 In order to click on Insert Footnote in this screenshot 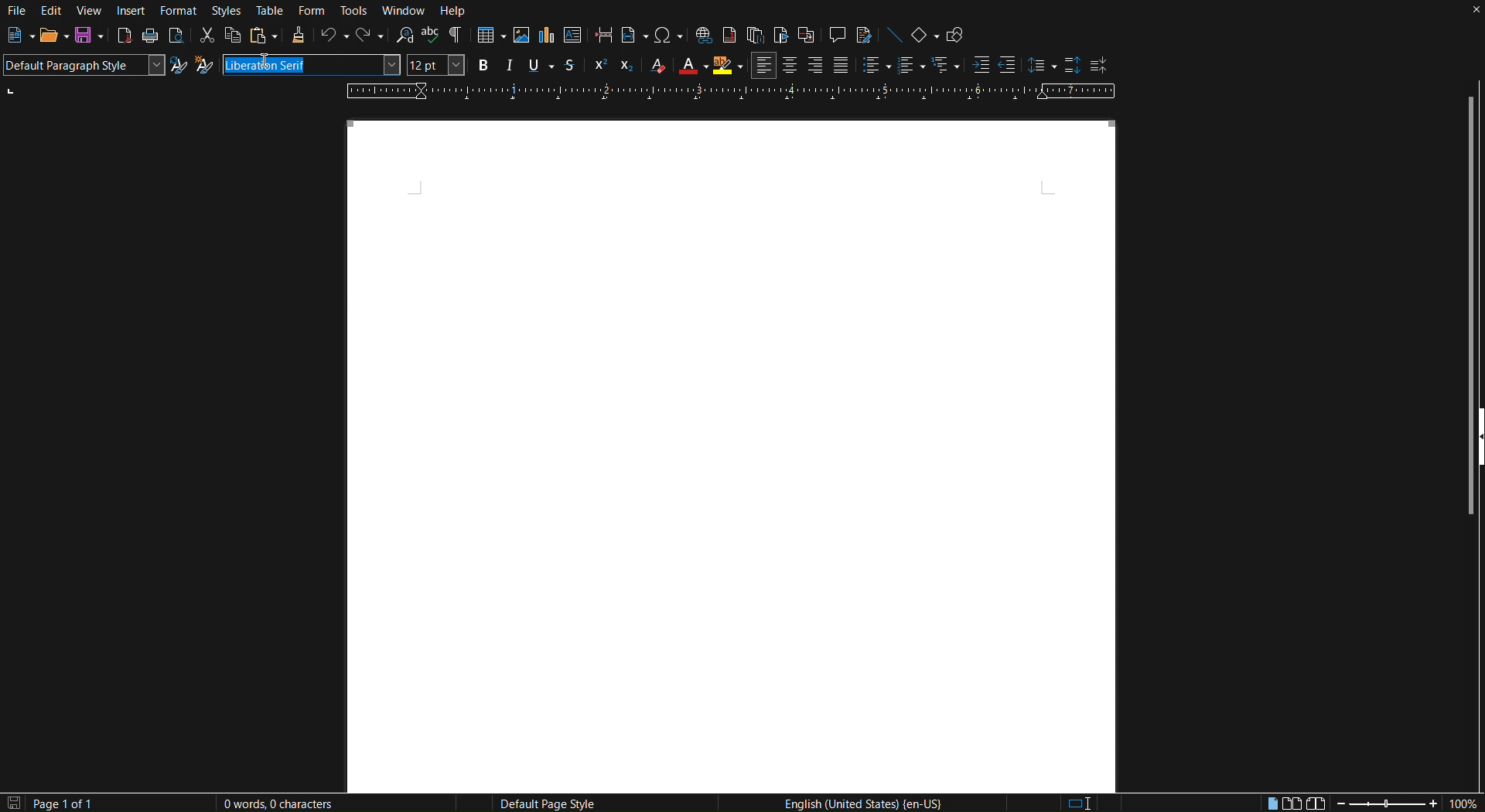, I will do `click(730, 37)`.